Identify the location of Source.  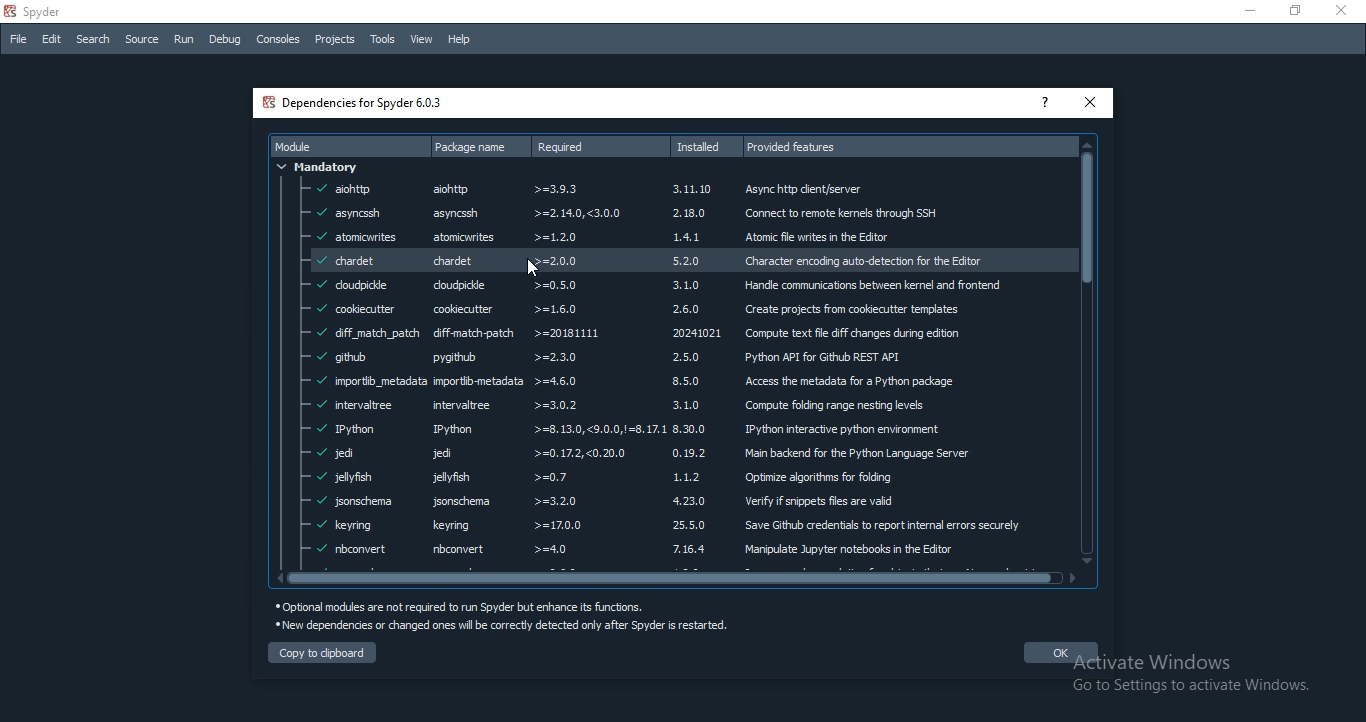
(141, 41).